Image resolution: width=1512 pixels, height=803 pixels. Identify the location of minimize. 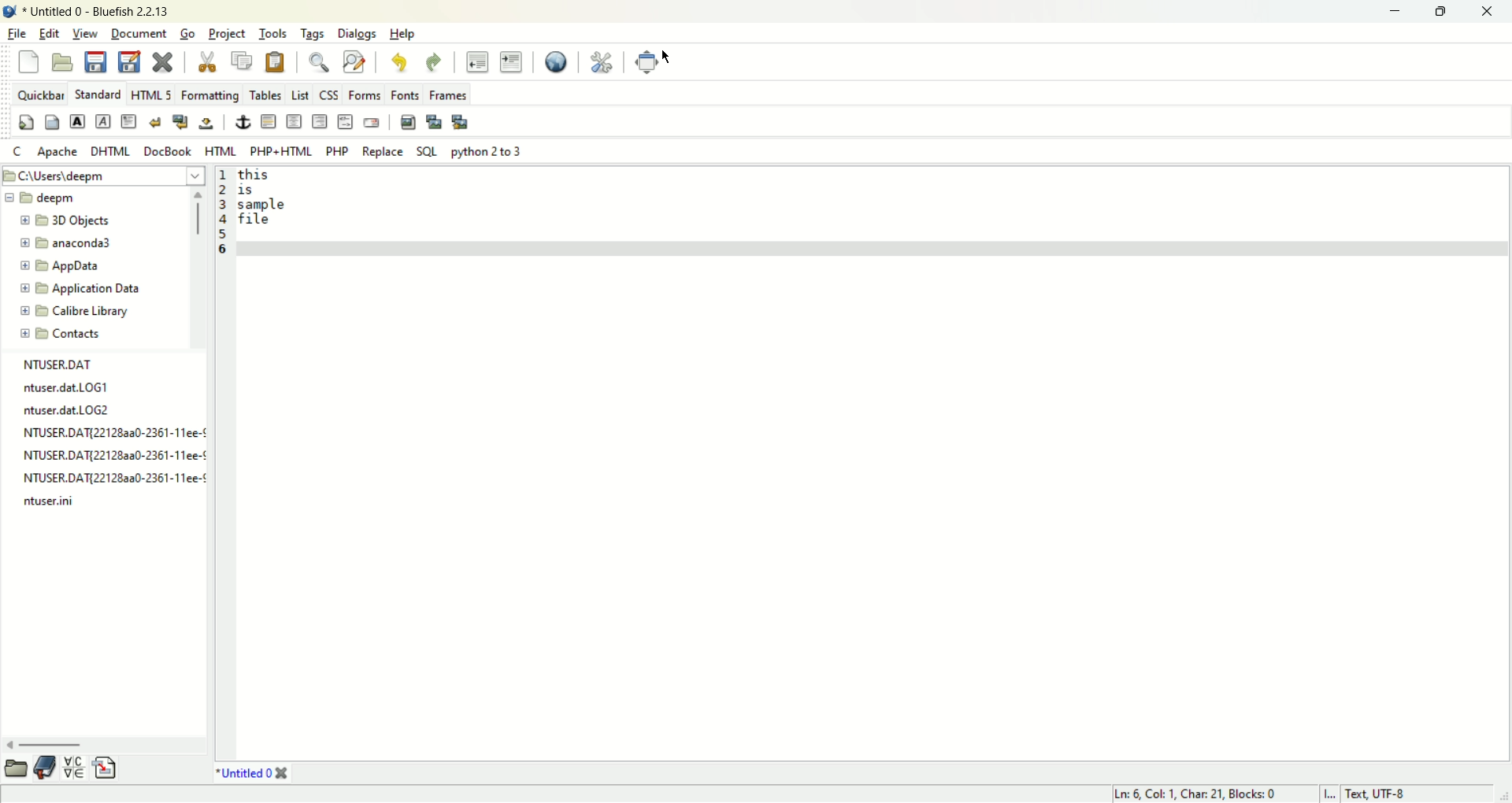
(1396, 11).